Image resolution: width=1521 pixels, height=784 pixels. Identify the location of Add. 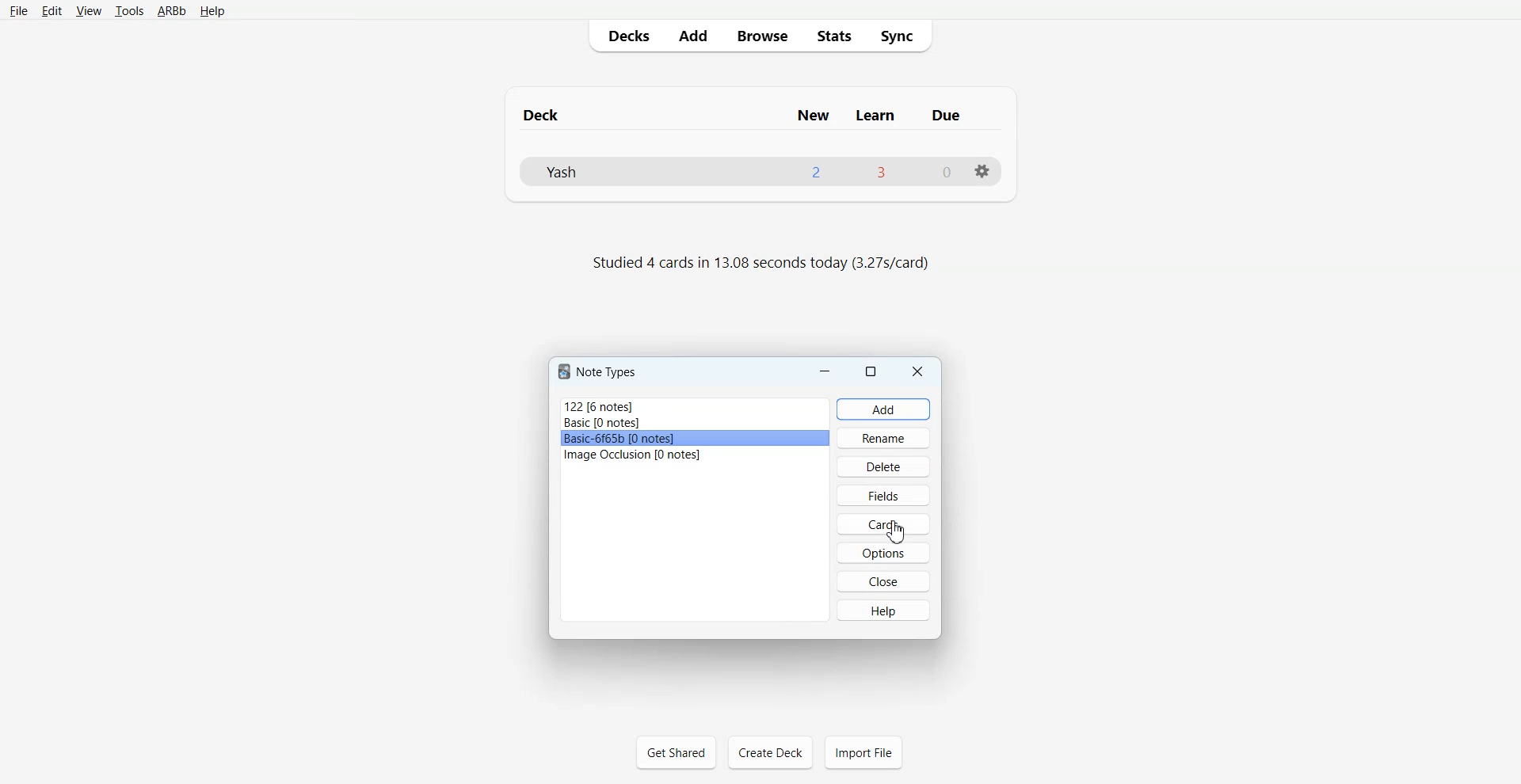
(692, 36).